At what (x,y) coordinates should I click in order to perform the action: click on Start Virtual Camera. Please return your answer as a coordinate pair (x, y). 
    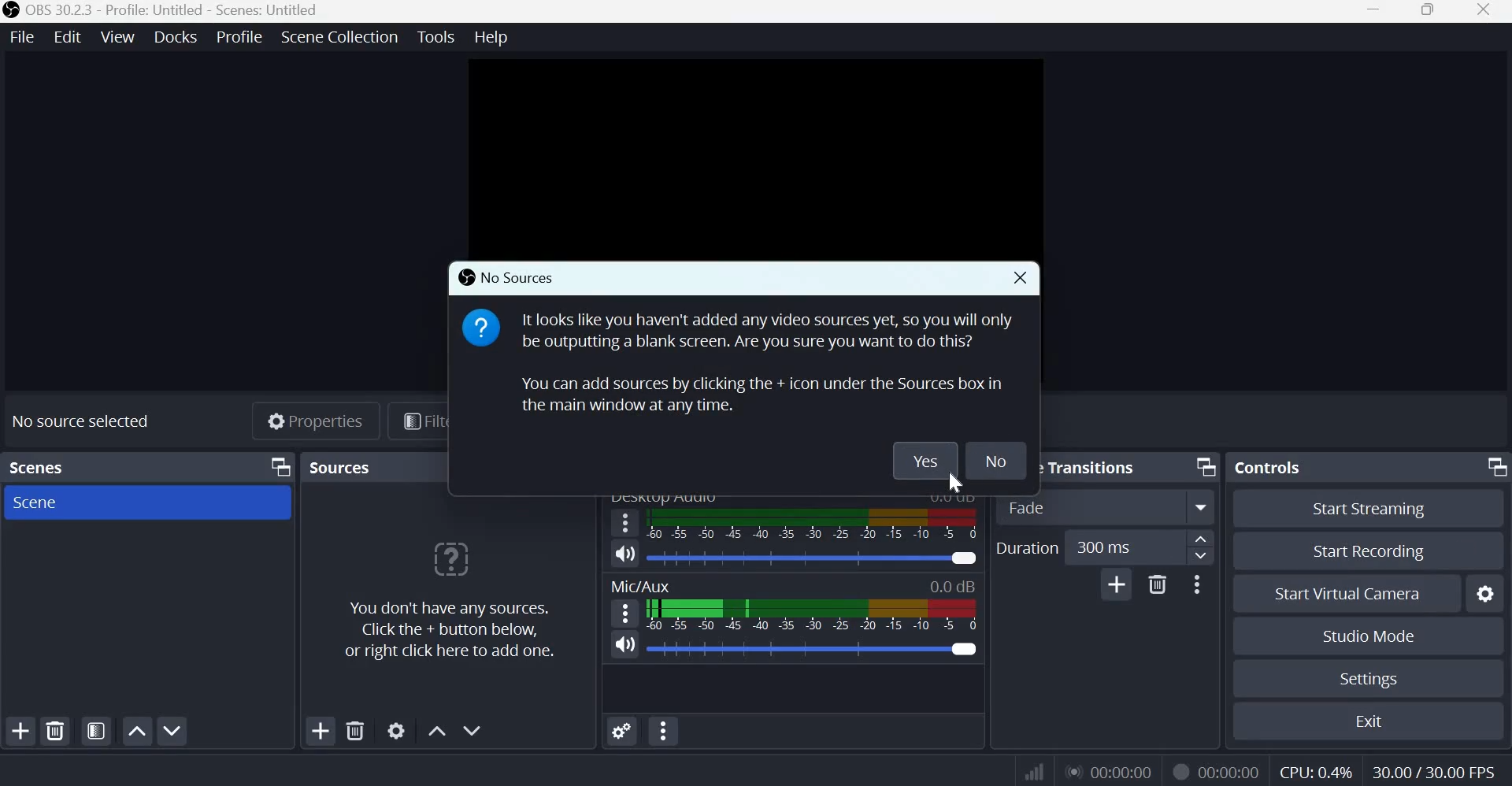
    Looking at the image, I should click on (1344, 594).